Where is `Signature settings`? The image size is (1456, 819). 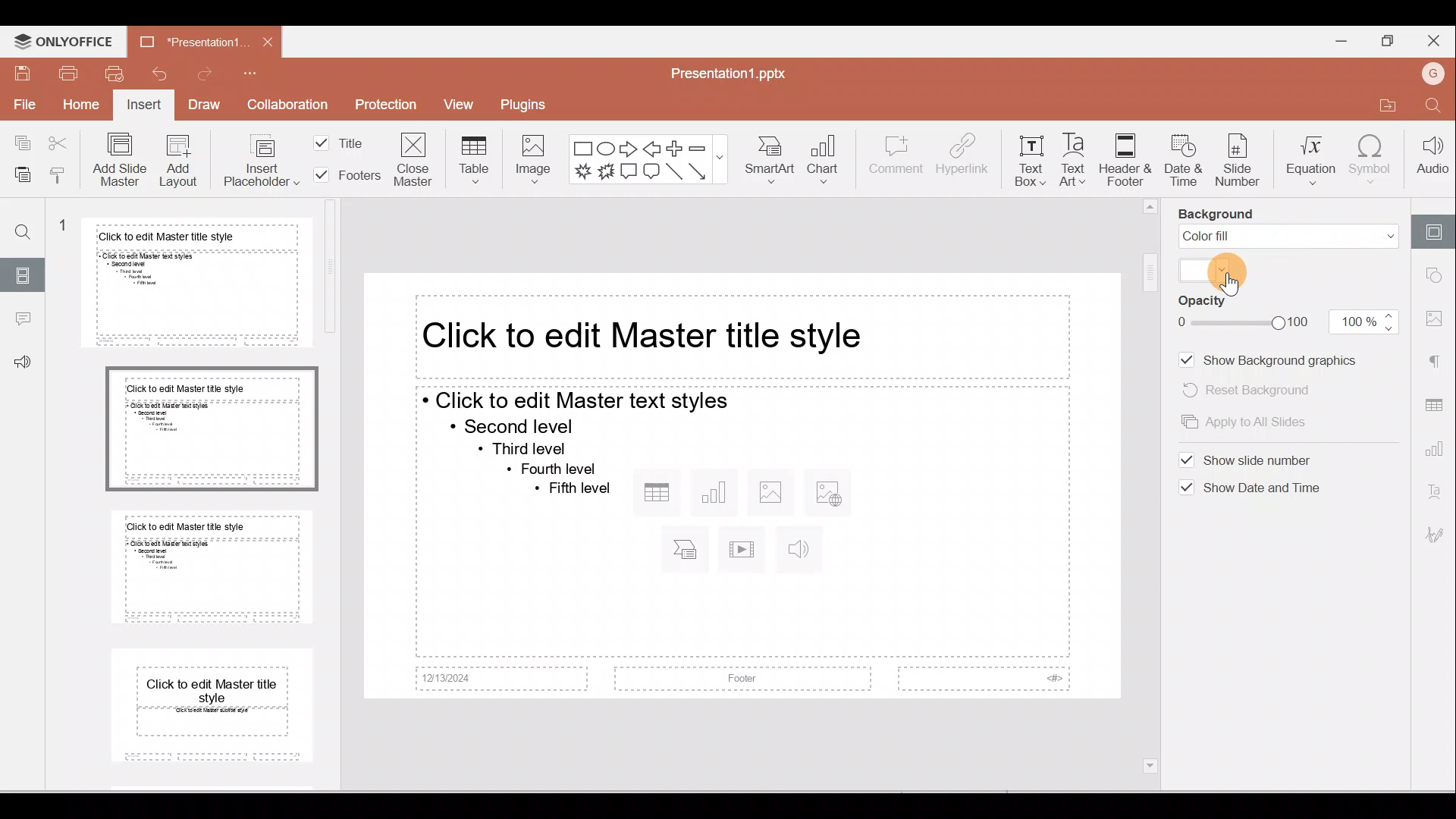 Signature settings is located at coordinates (1437, 538).